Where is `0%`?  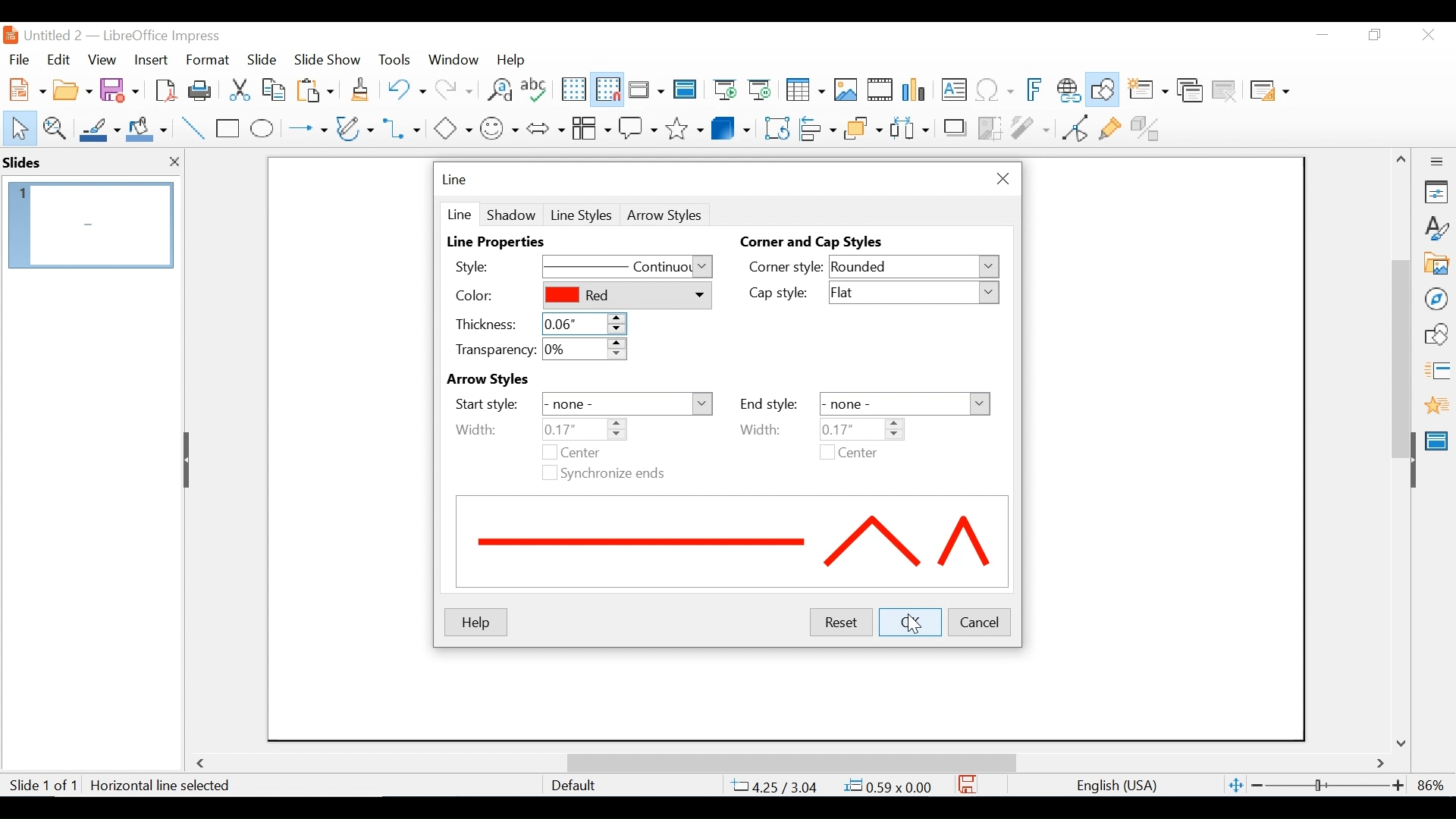 0% is located at coordinates (585, 350).